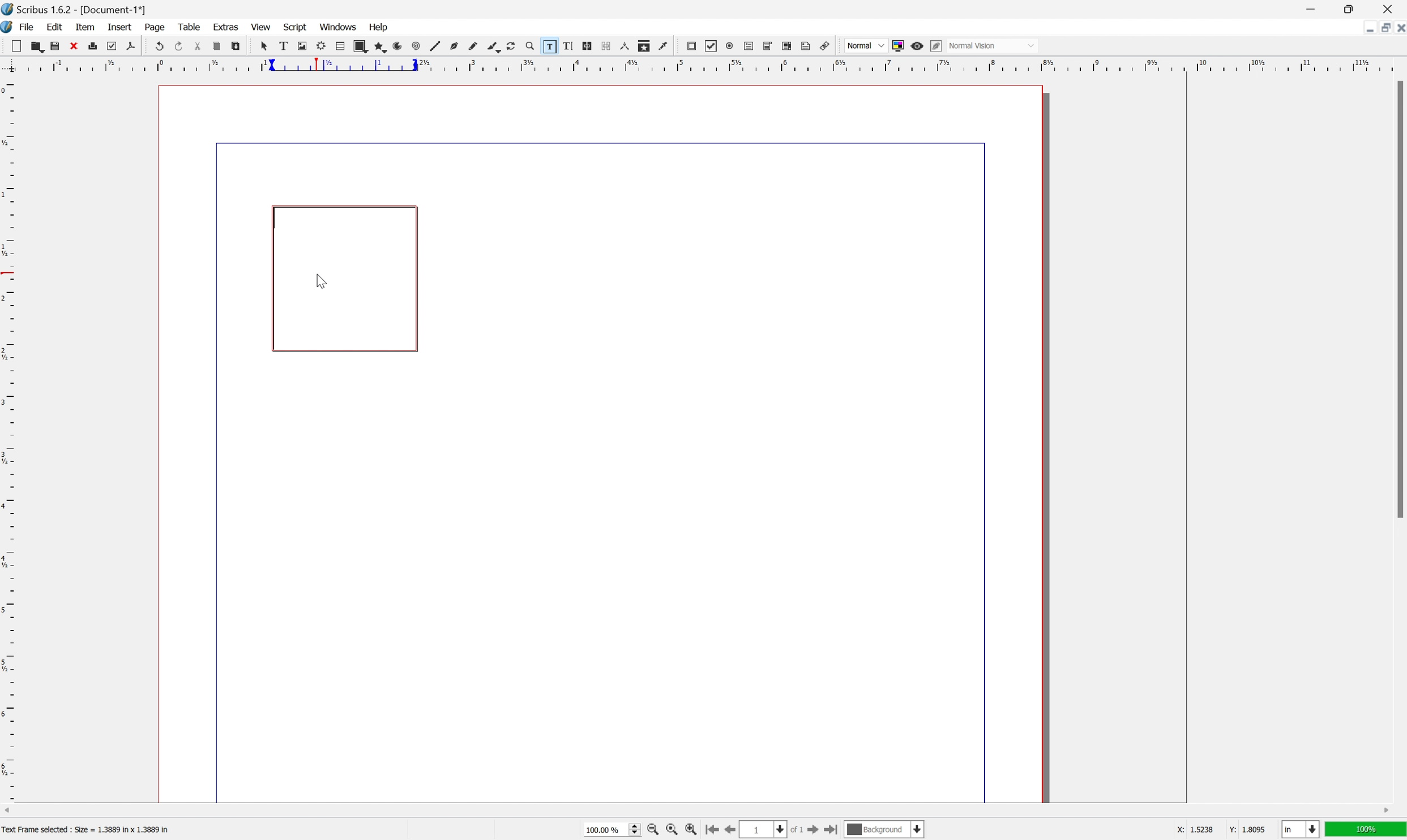 The image size is (1407, 840). What do you see at coordinates (119, 25) in the screenshot?
I see `insert` at bounding box center [119, 25].